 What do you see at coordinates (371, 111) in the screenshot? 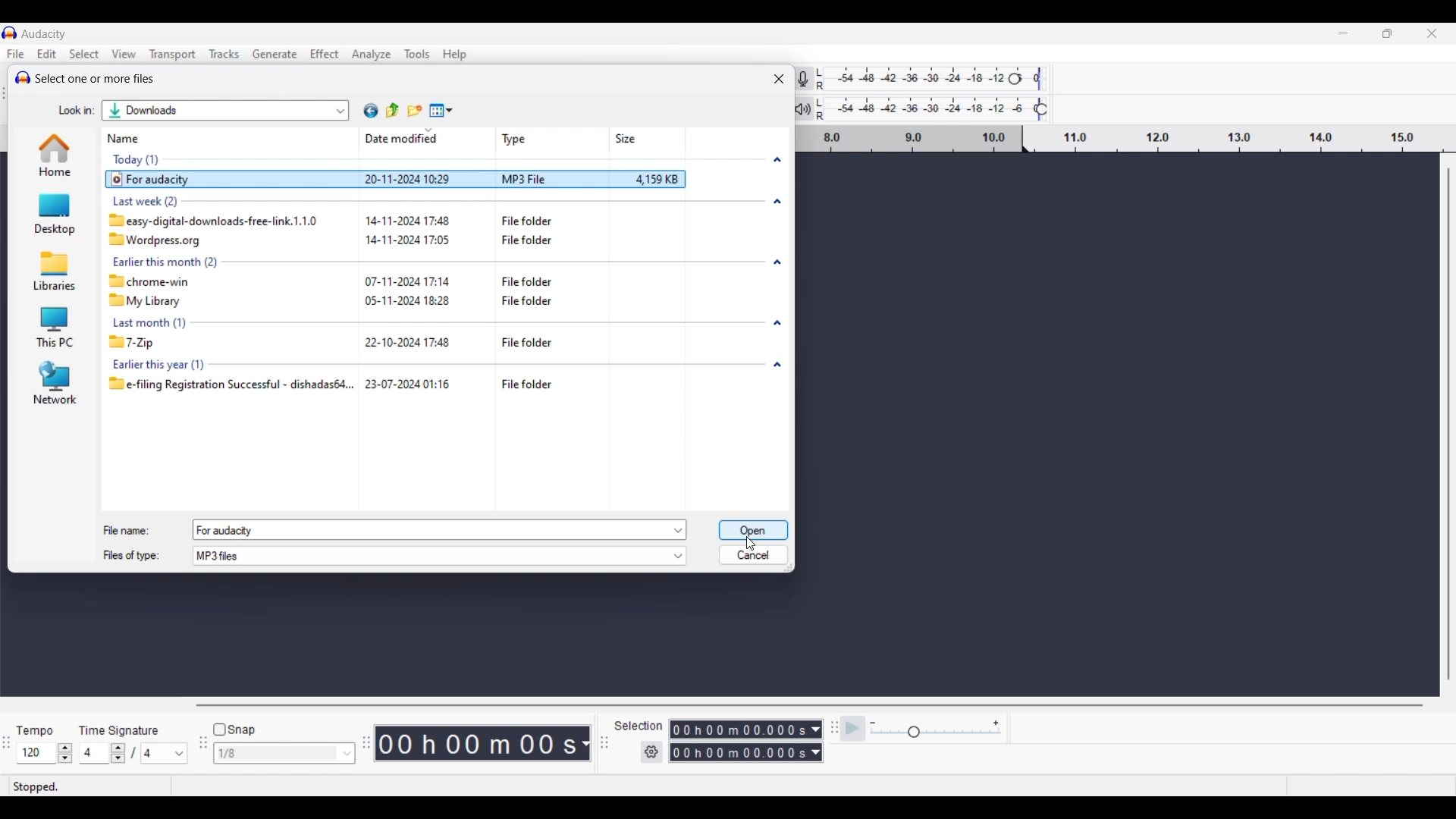
I see `Go to last folder visited` at bounding box center [371, 111].